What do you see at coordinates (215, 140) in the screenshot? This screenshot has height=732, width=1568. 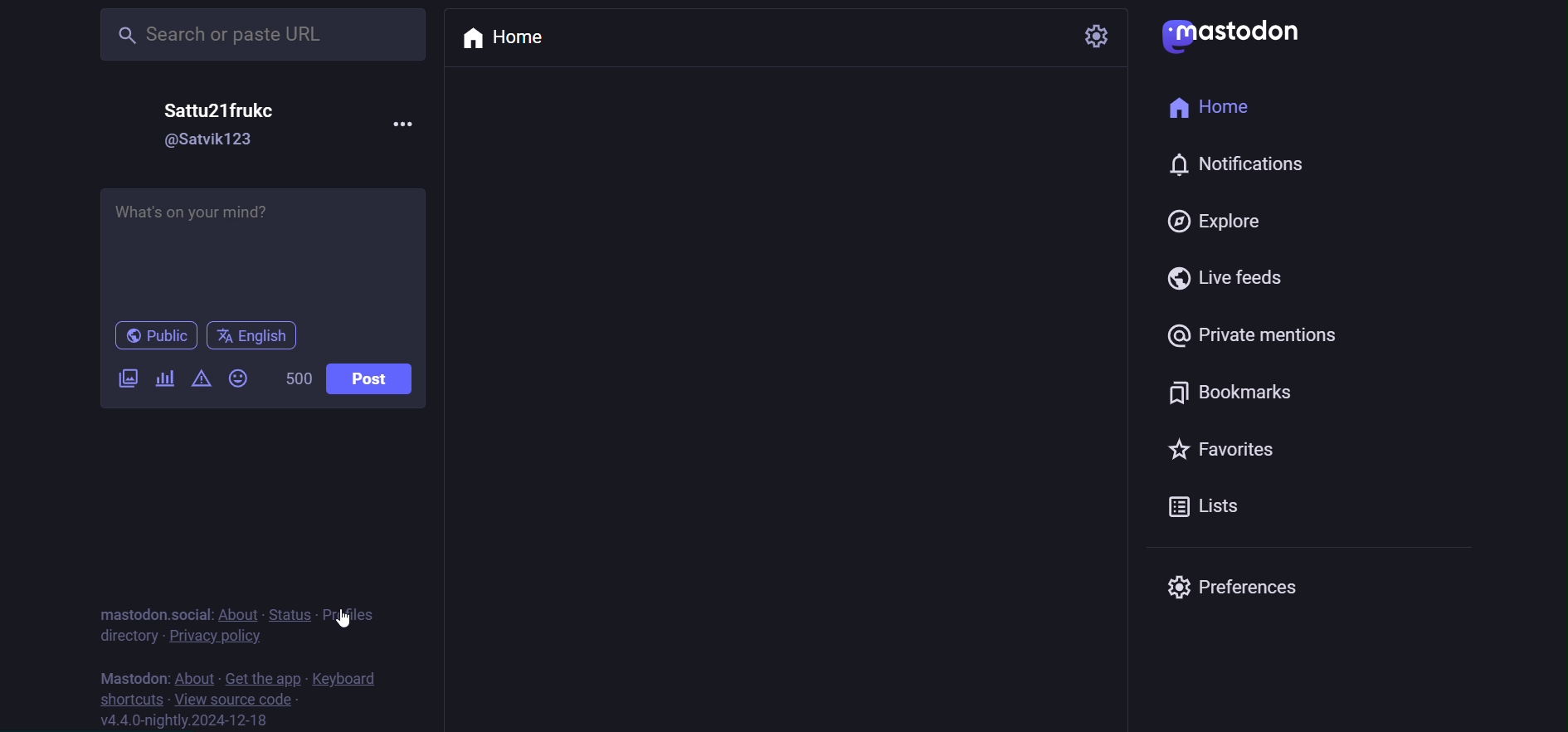 I see `@satvik123` at bounding box center [215, 140].